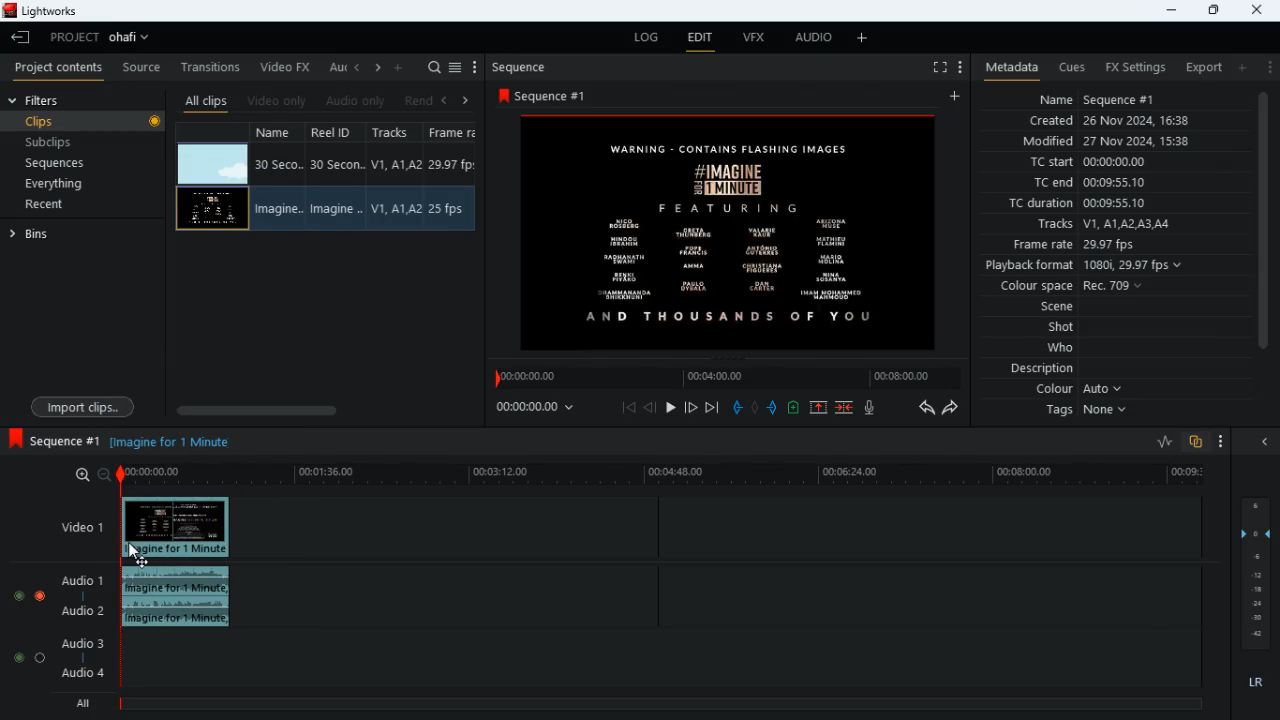 Image resolution: width=1280 pixels, height=720 pixels. Describe the element at coordinates (210, 66) in the screenshot. I see `transitions` at that location.